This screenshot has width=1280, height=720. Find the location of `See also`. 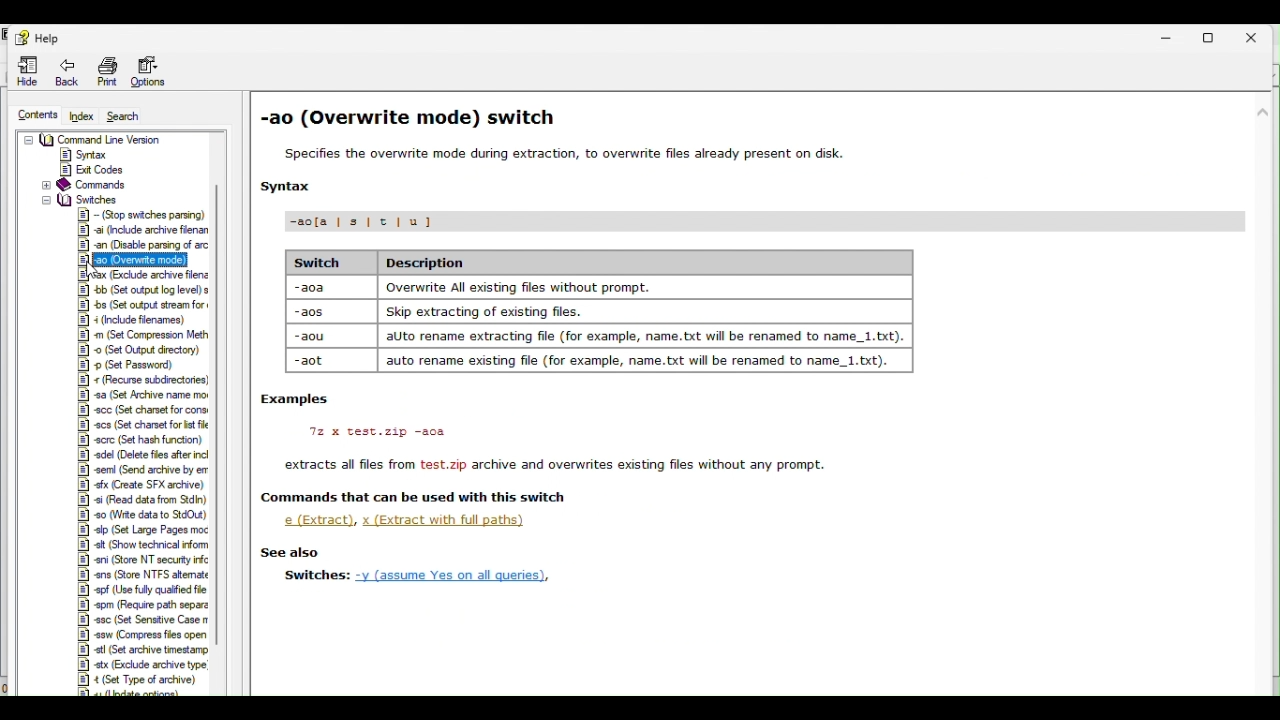

See also is located at coordinates (285, 552).